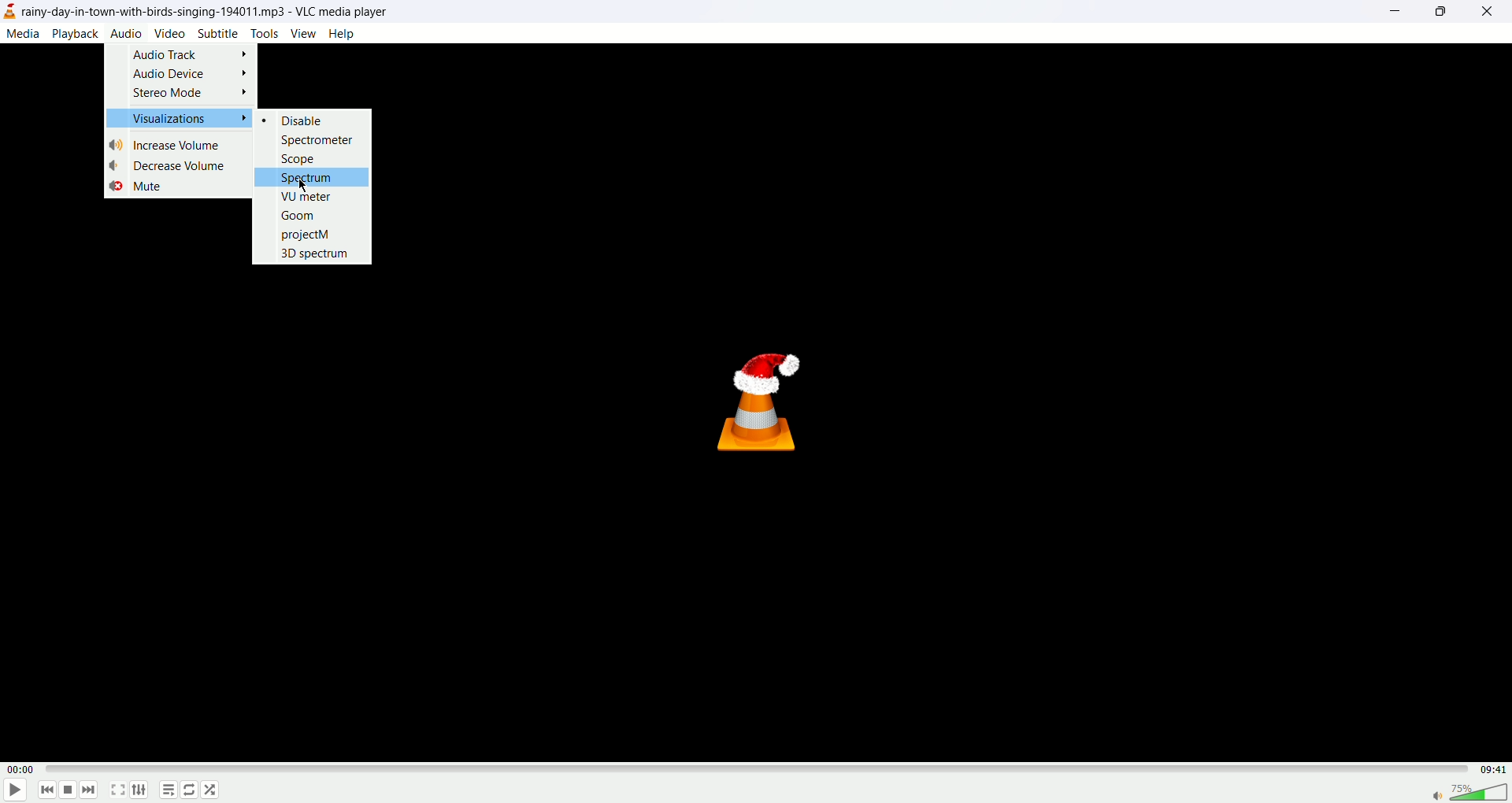  I want to click on shuffle, so click(212, 790).